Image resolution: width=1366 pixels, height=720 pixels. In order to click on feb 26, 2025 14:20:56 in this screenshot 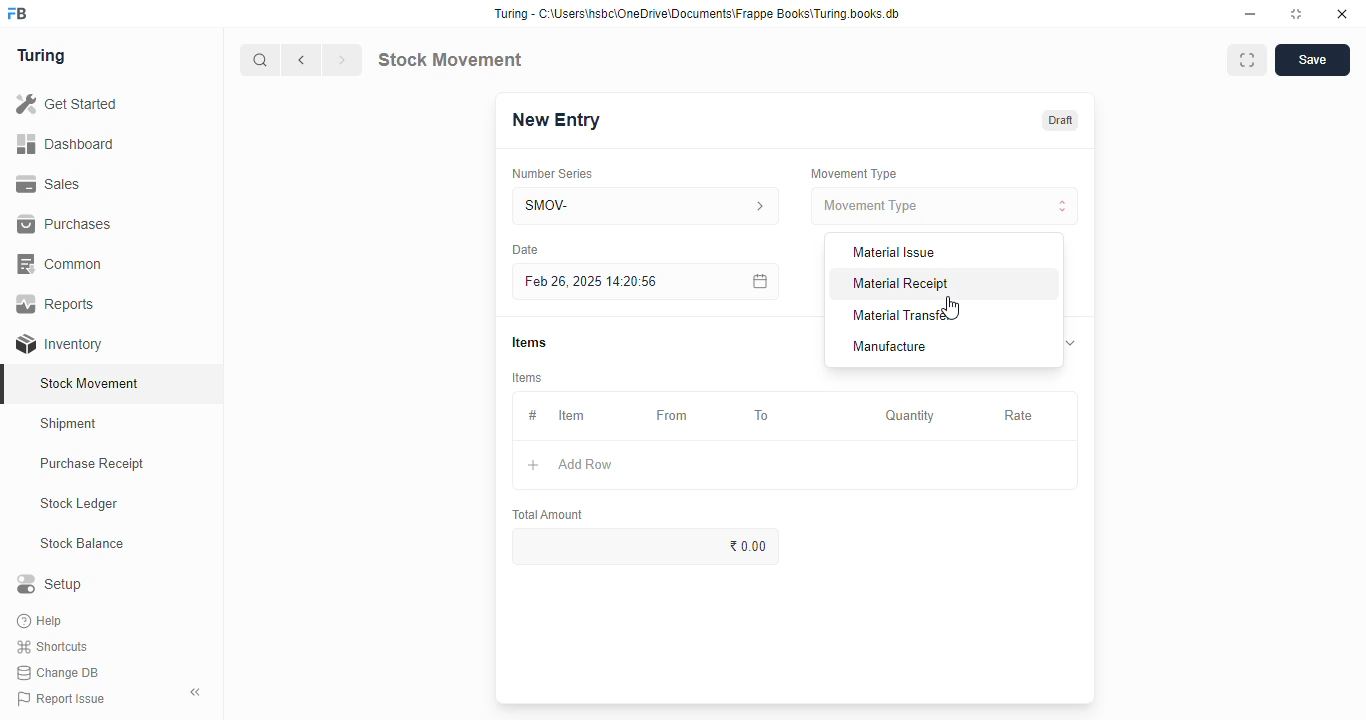, I will do `click(595, 282)`.